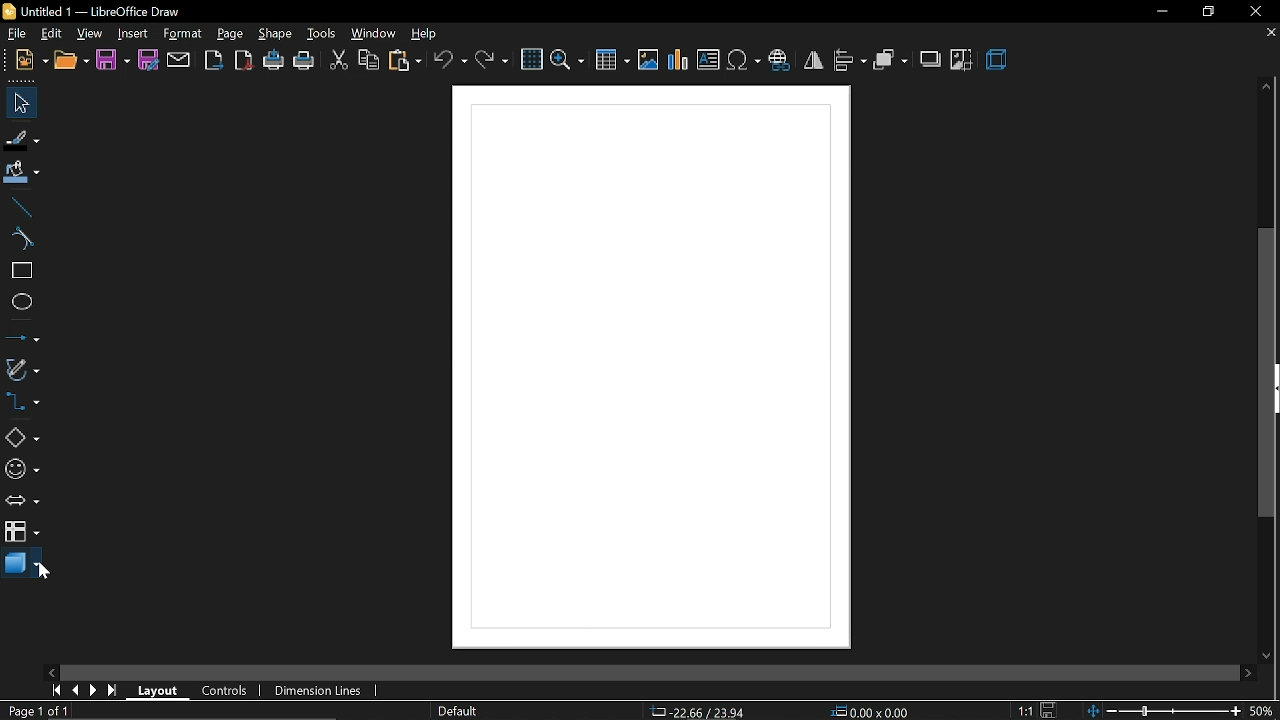 This screenshot has height=720, width=1280. I want to click on redo, so click(491, 59).